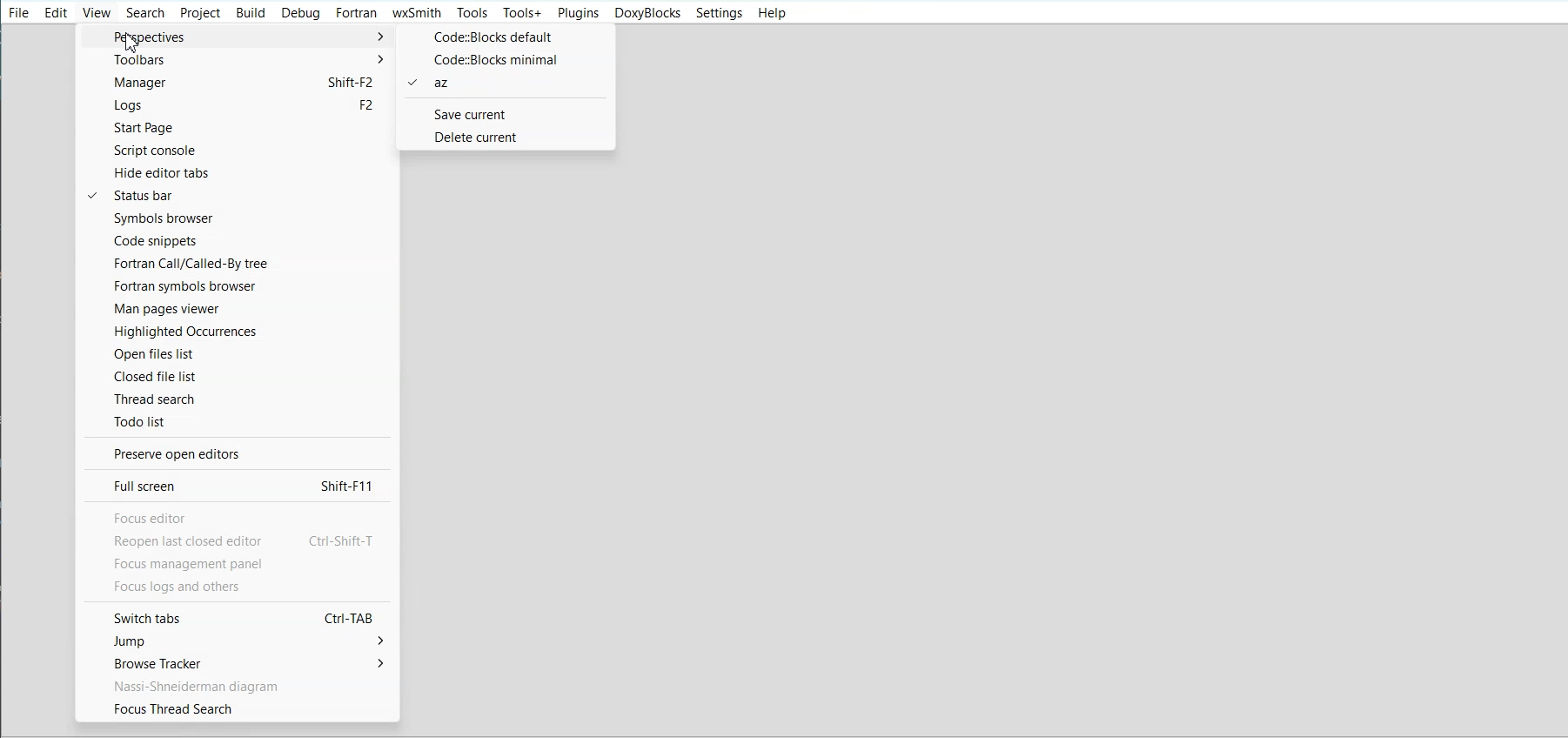 Image resolution: width=1568 pixels, height=738 pixels. Describe the element at coordinates (237, 421) in the screenshot. I see `Todo list` at that location.